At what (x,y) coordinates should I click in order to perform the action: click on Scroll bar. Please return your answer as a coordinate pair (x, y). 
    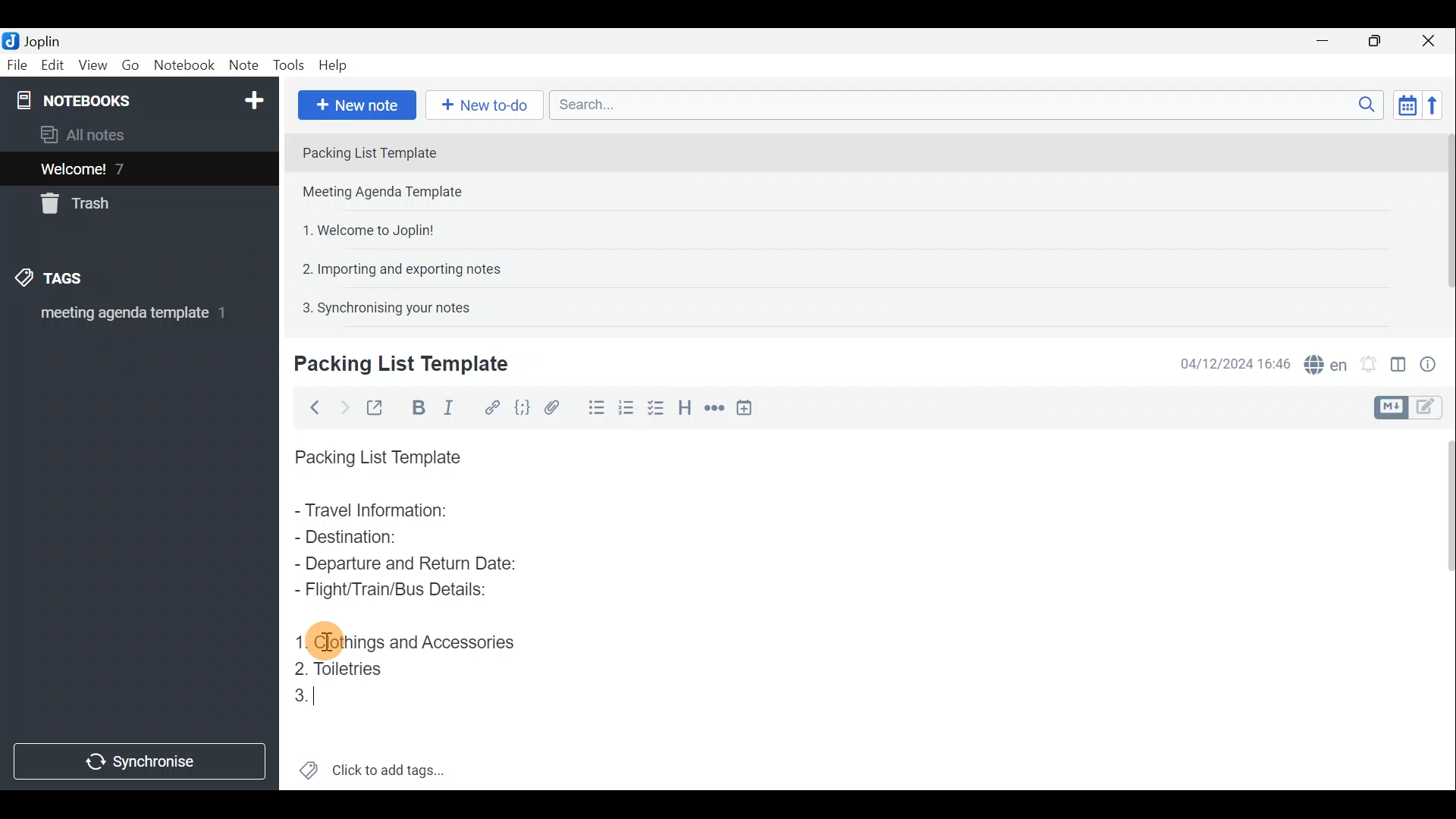
    Looking at the image, I should click on (1442, 221).